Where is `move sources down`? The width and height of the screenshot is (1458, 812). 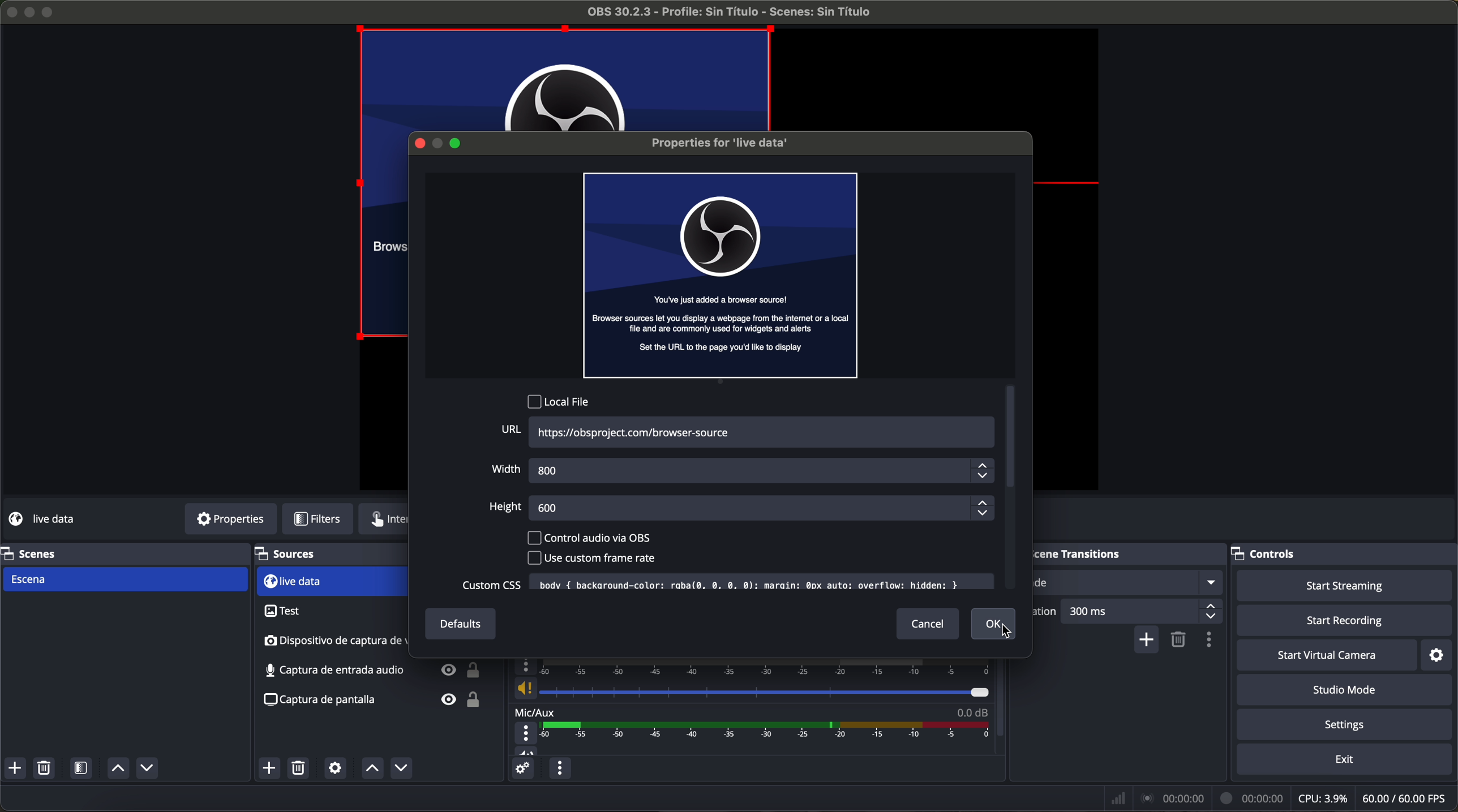
move sources down is located at coordinates (147, 768).